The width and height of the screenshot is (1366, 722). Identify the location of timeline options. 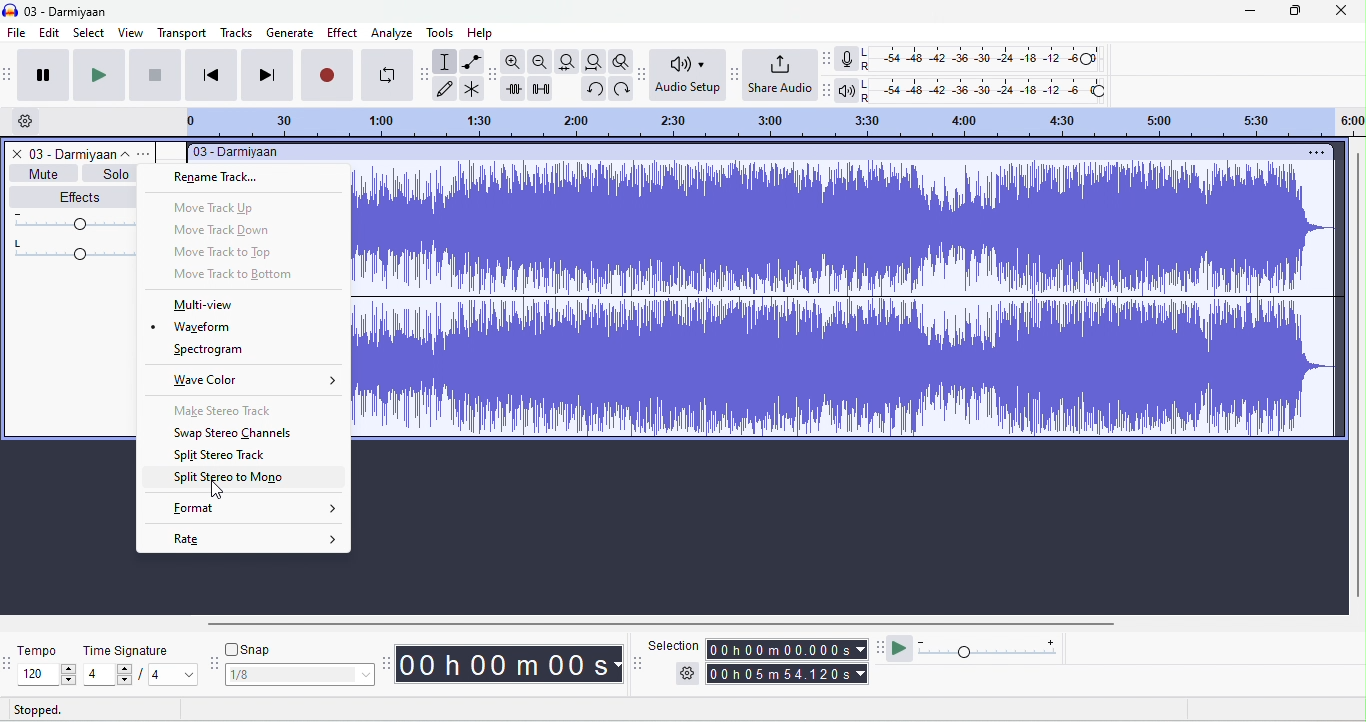
(24, 121).